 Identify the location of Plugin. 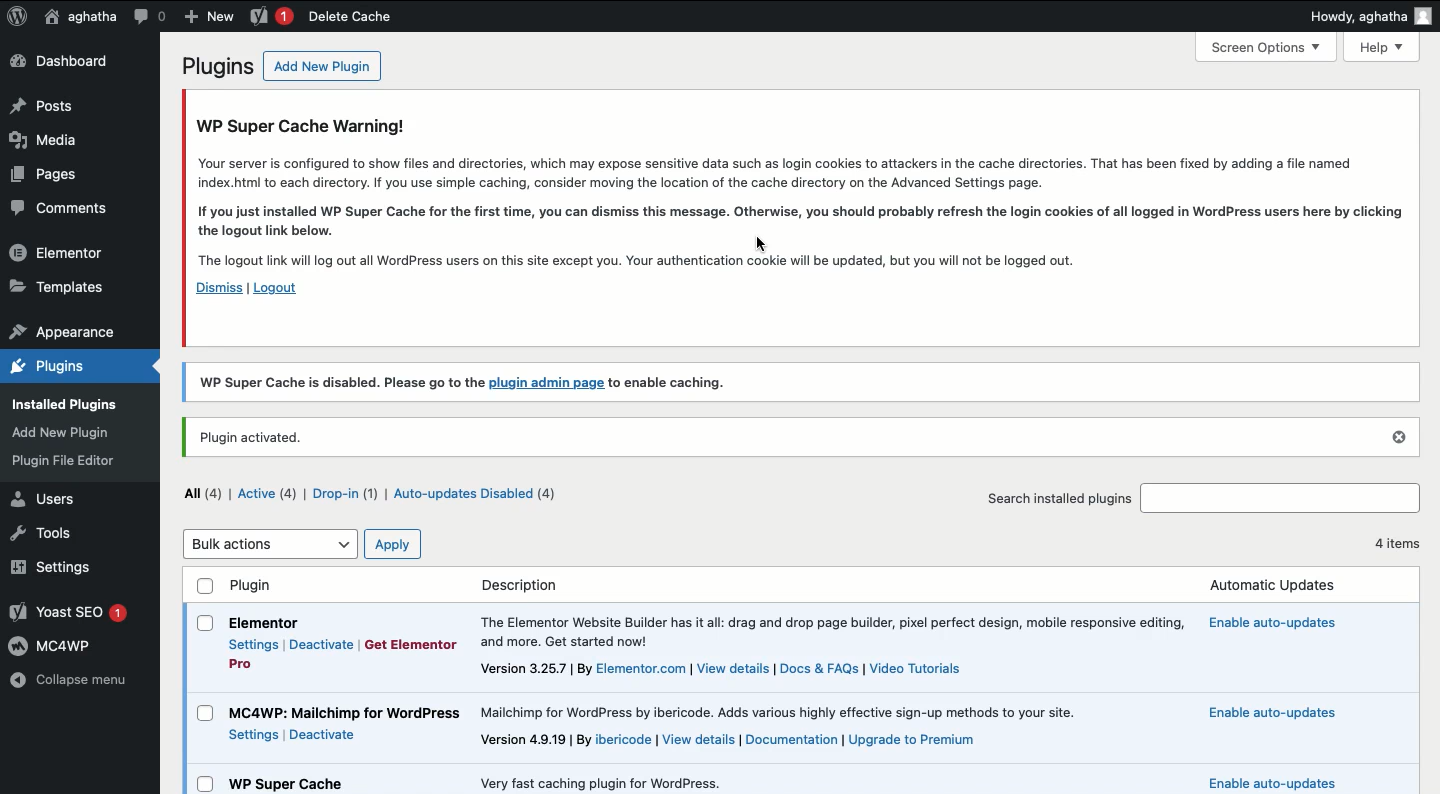
(288, 783).